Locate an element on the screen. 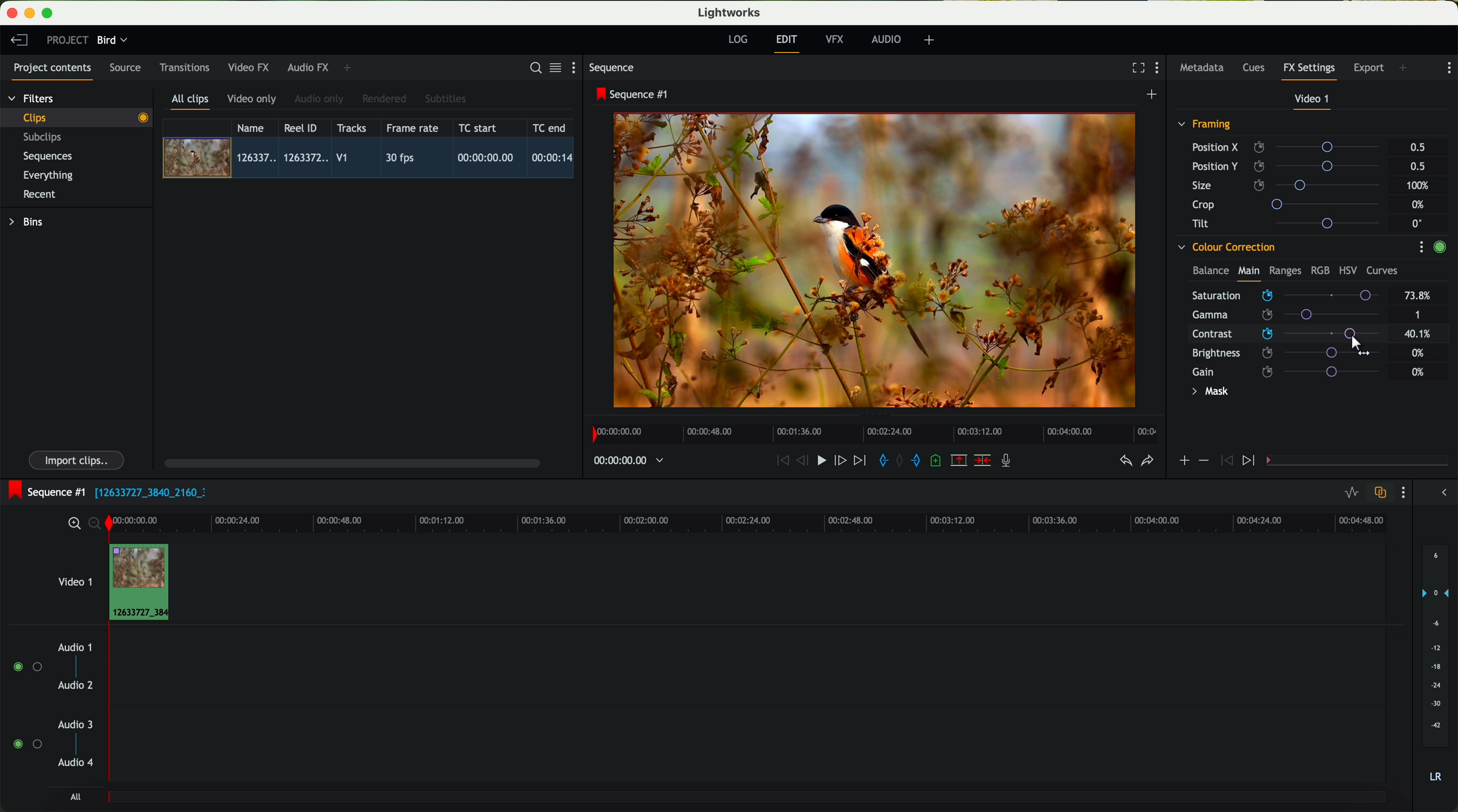 This screenshot has width=1458, height=812. 100% is located at coordinates (1421, 186).